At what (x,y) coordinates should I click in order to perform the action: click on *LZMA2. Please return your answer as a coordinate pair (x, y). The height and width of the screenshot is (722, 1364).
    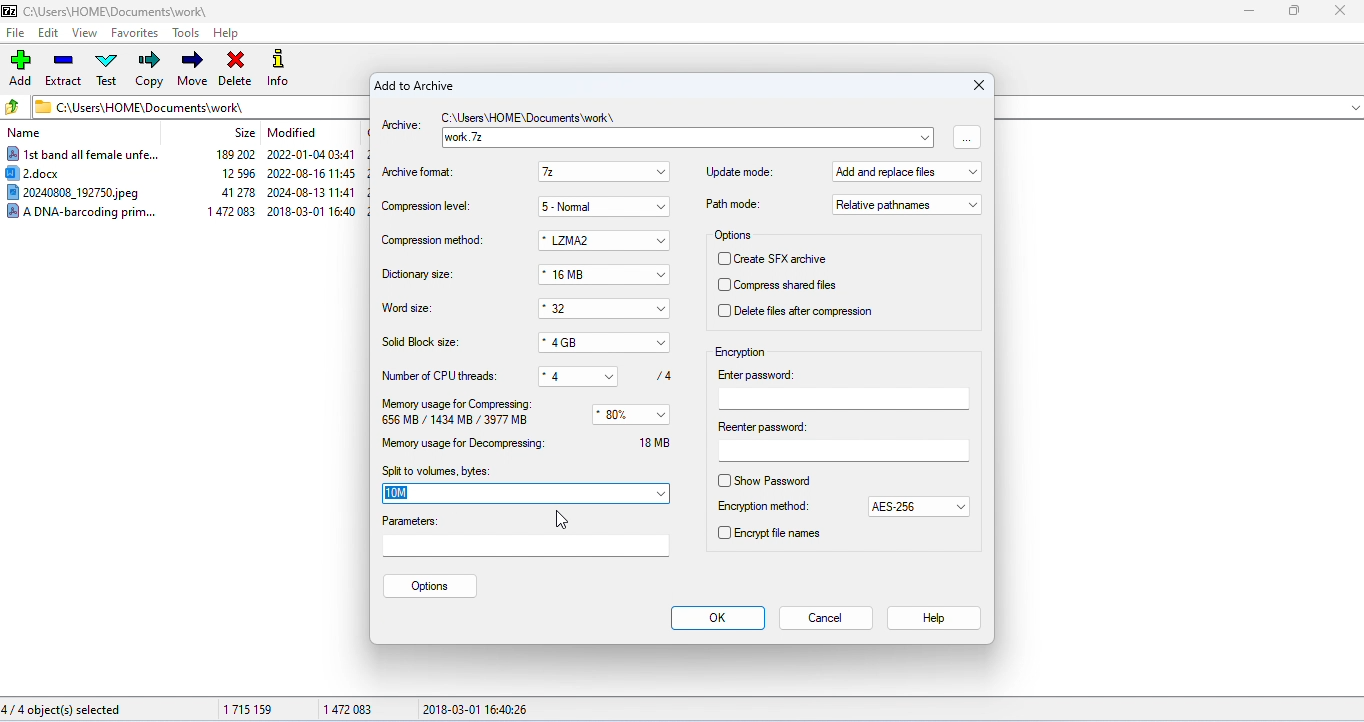
    Looking at the image, I should click on (588, 241).